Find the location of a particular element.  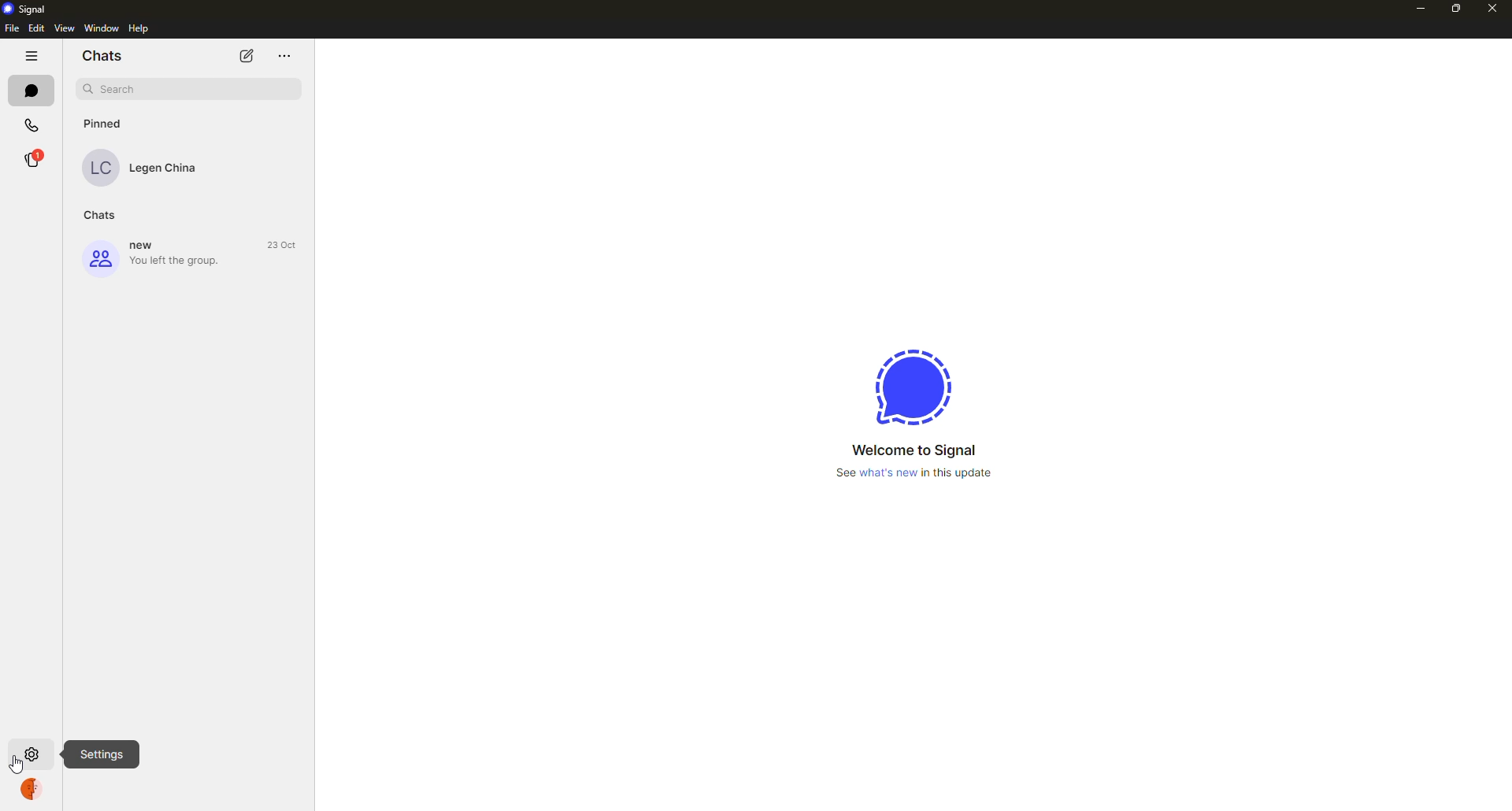

‘Window is located at coordinates (101, 28).